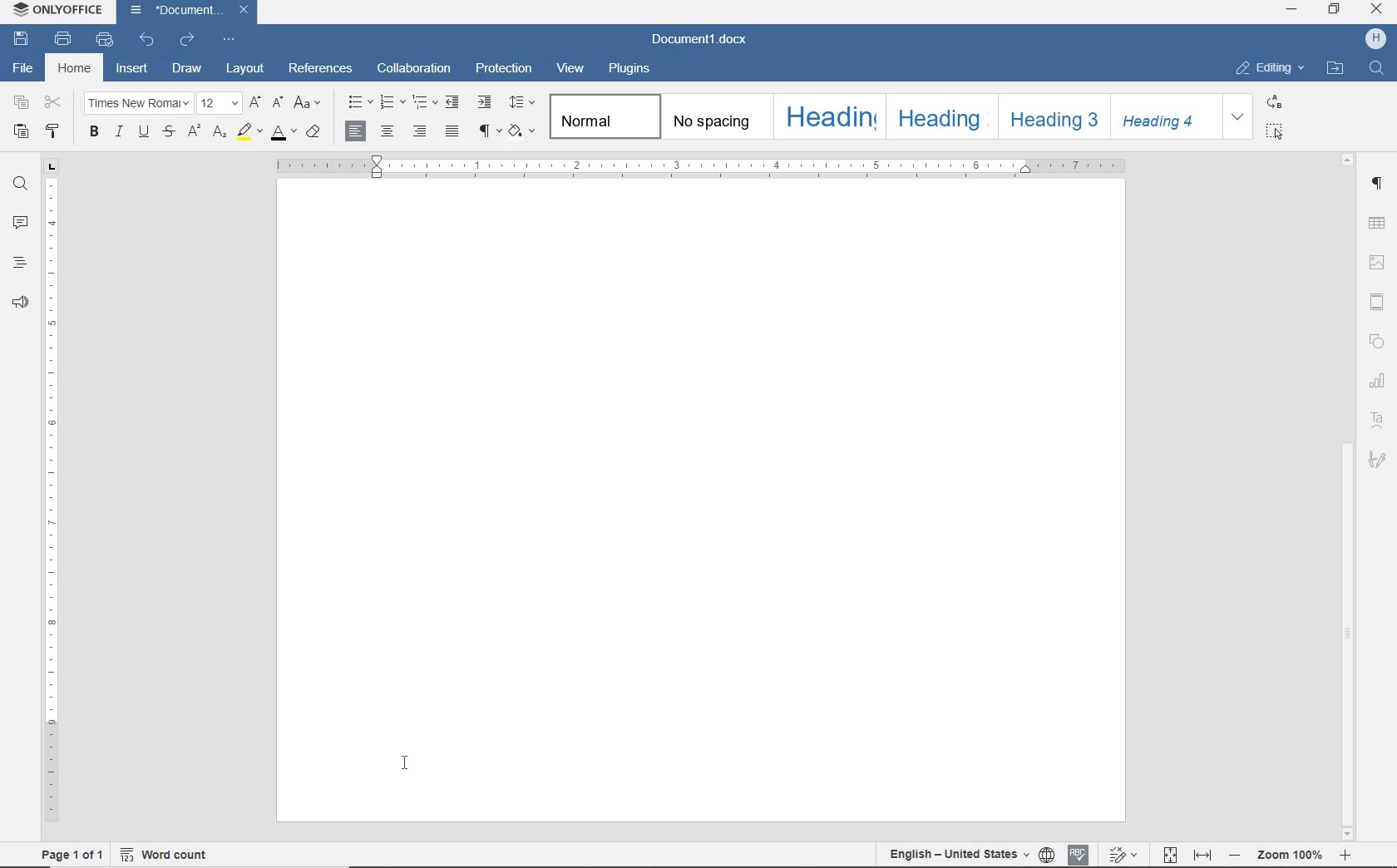  I want to click on paragraph settings, so click(1380, 185).